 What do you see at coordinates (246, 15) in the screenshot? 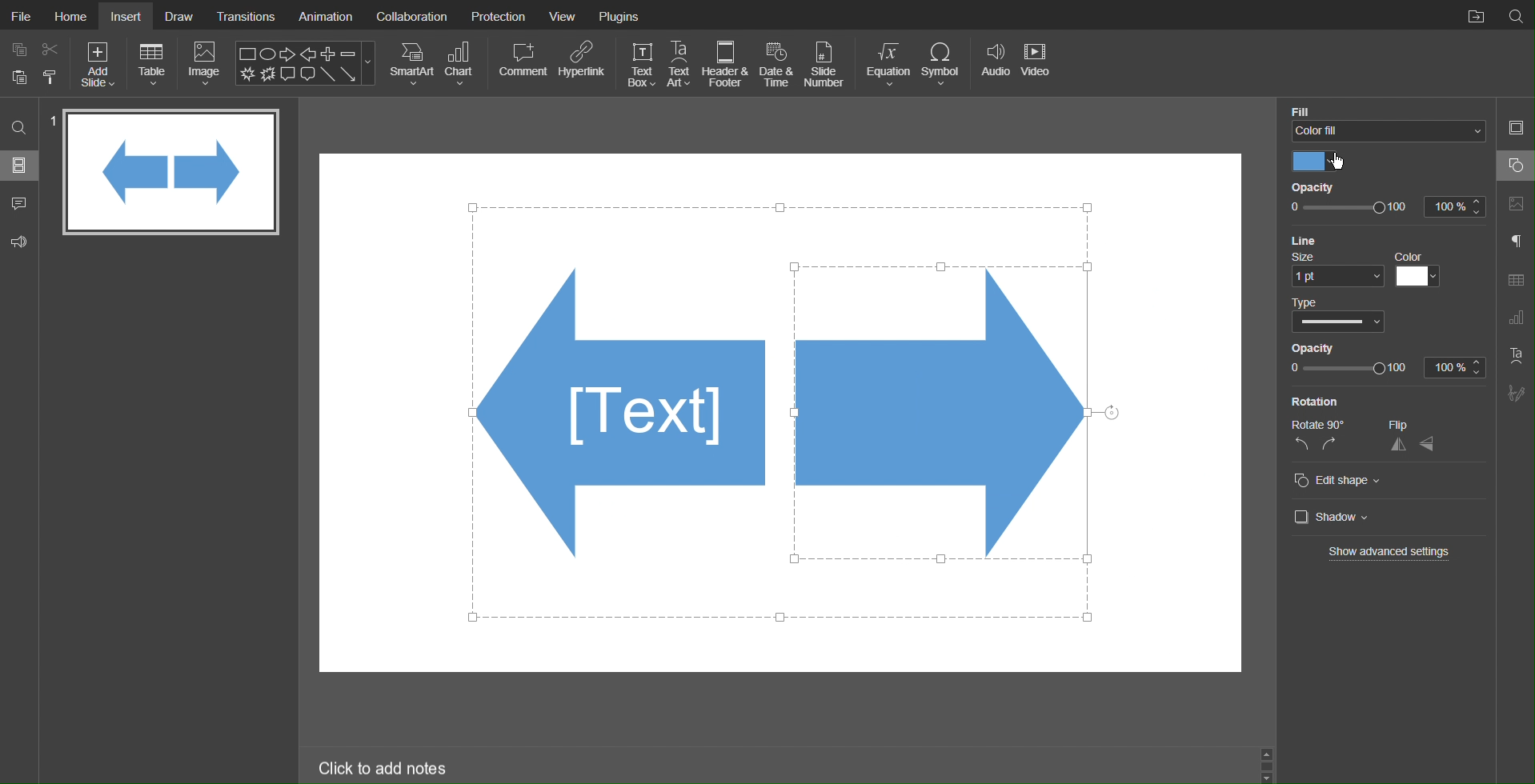
I see `Transitions` at bounding box center [246, 15].